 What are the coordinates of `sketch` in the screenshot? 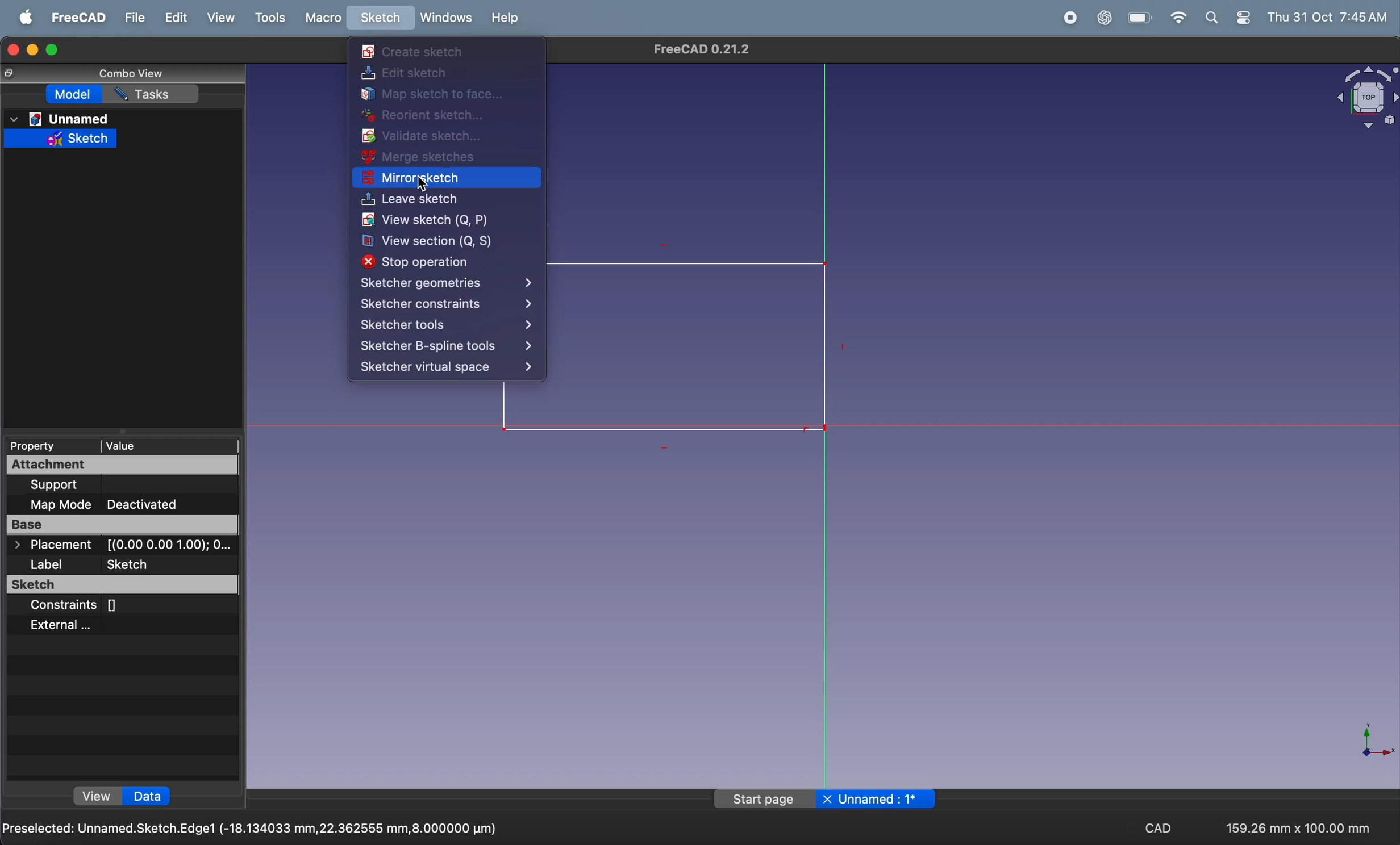 It's located at (380, 19).